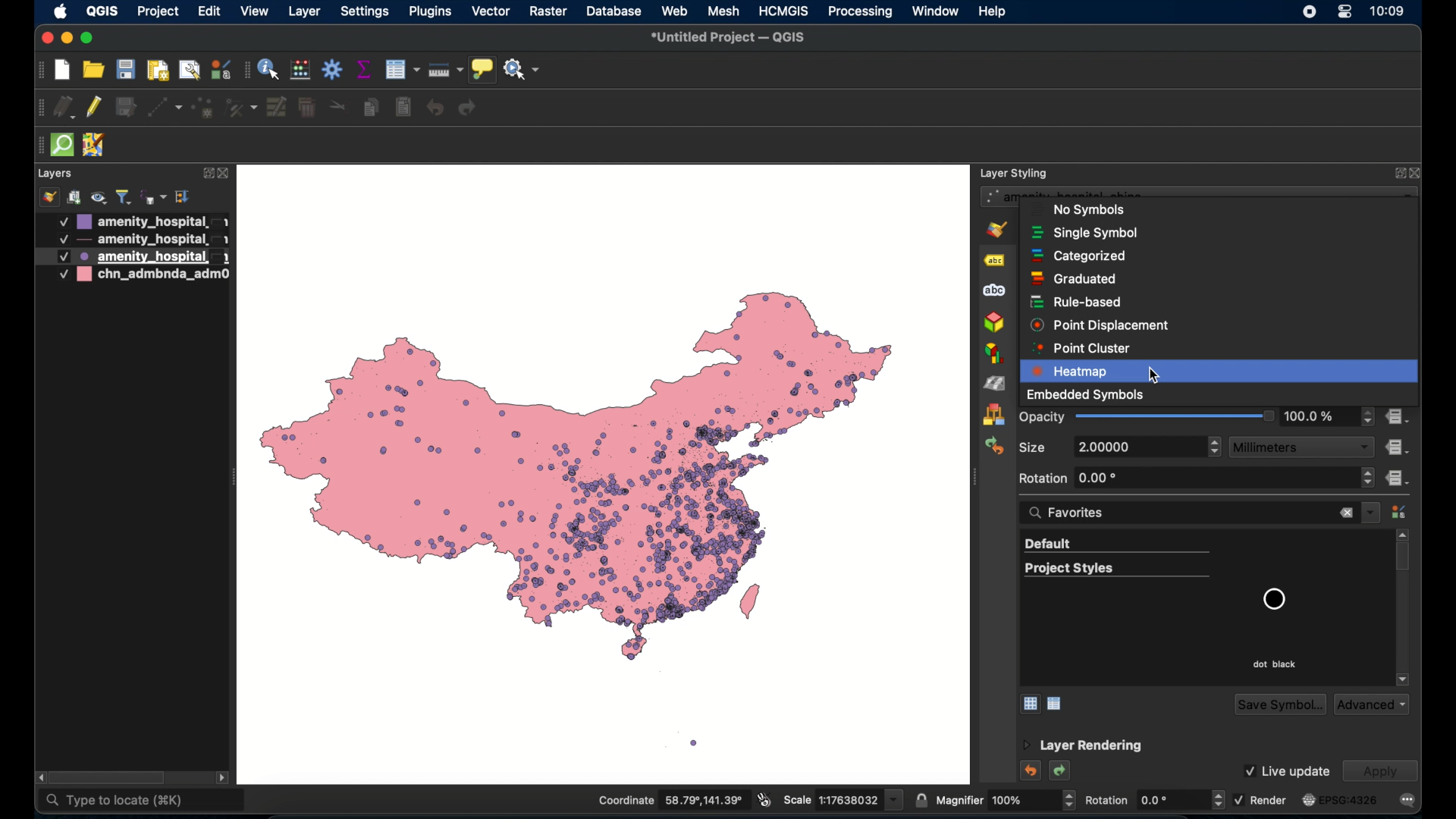  Describe the element at coordinates (1078, 302) in the screenshot. I see `rule based` at that location.